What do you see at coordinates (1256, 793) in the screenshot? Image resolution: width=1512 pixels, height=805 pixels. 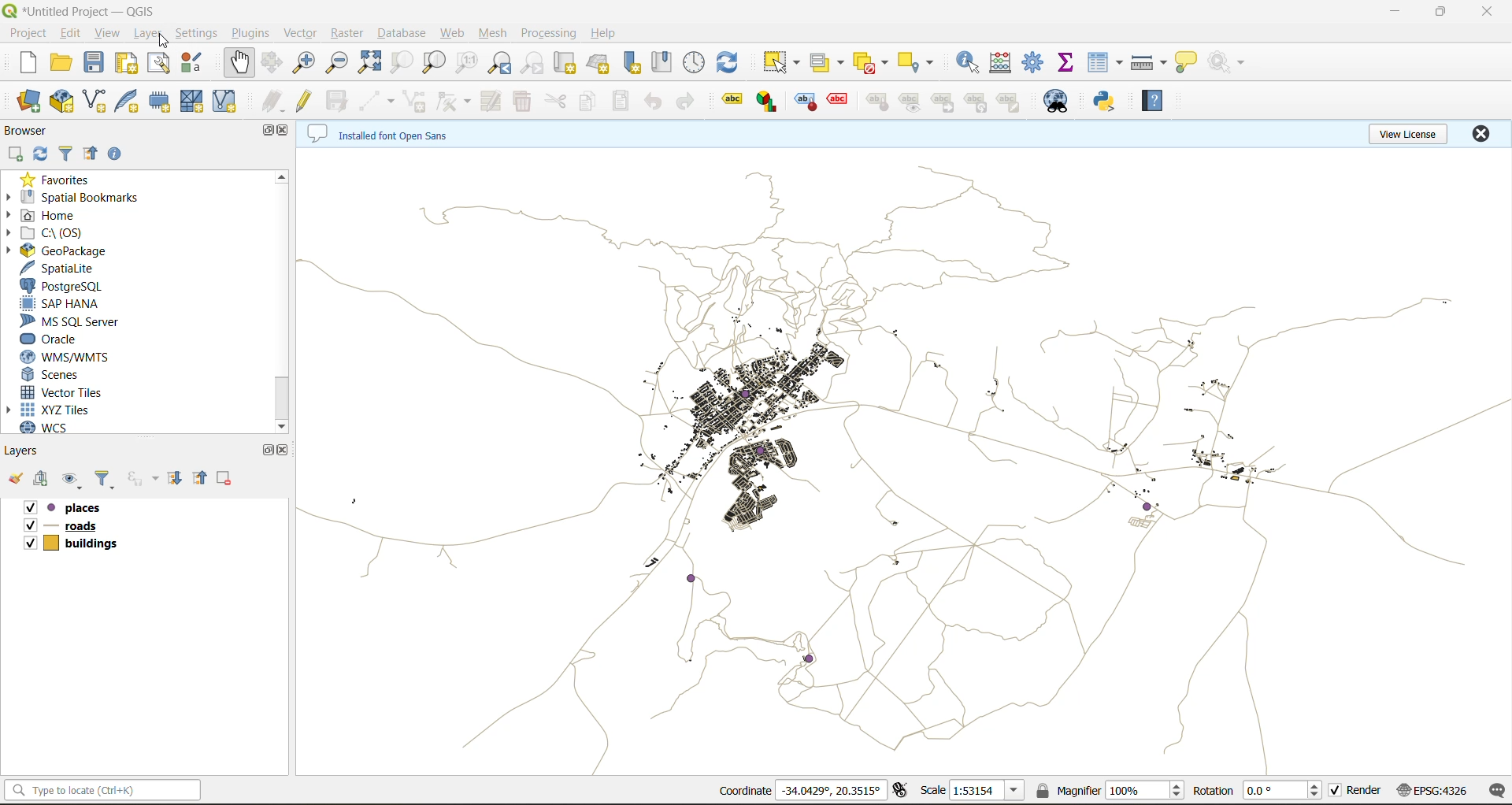 I see `rotation` at bounding box center [1256, 793].